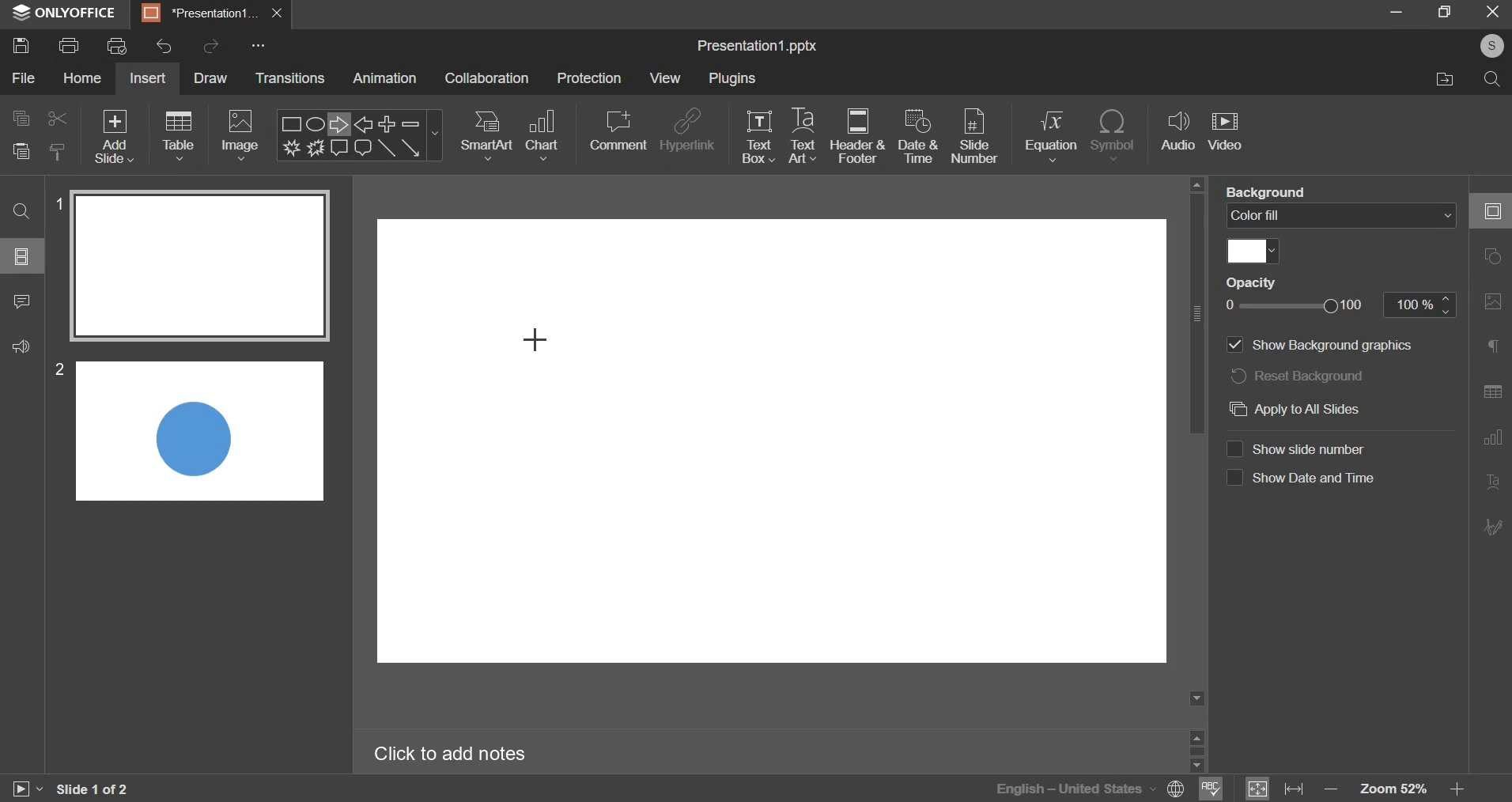 This screenshot has height=802, width=1512. I want to click on customise quick access, so click(259, 44).